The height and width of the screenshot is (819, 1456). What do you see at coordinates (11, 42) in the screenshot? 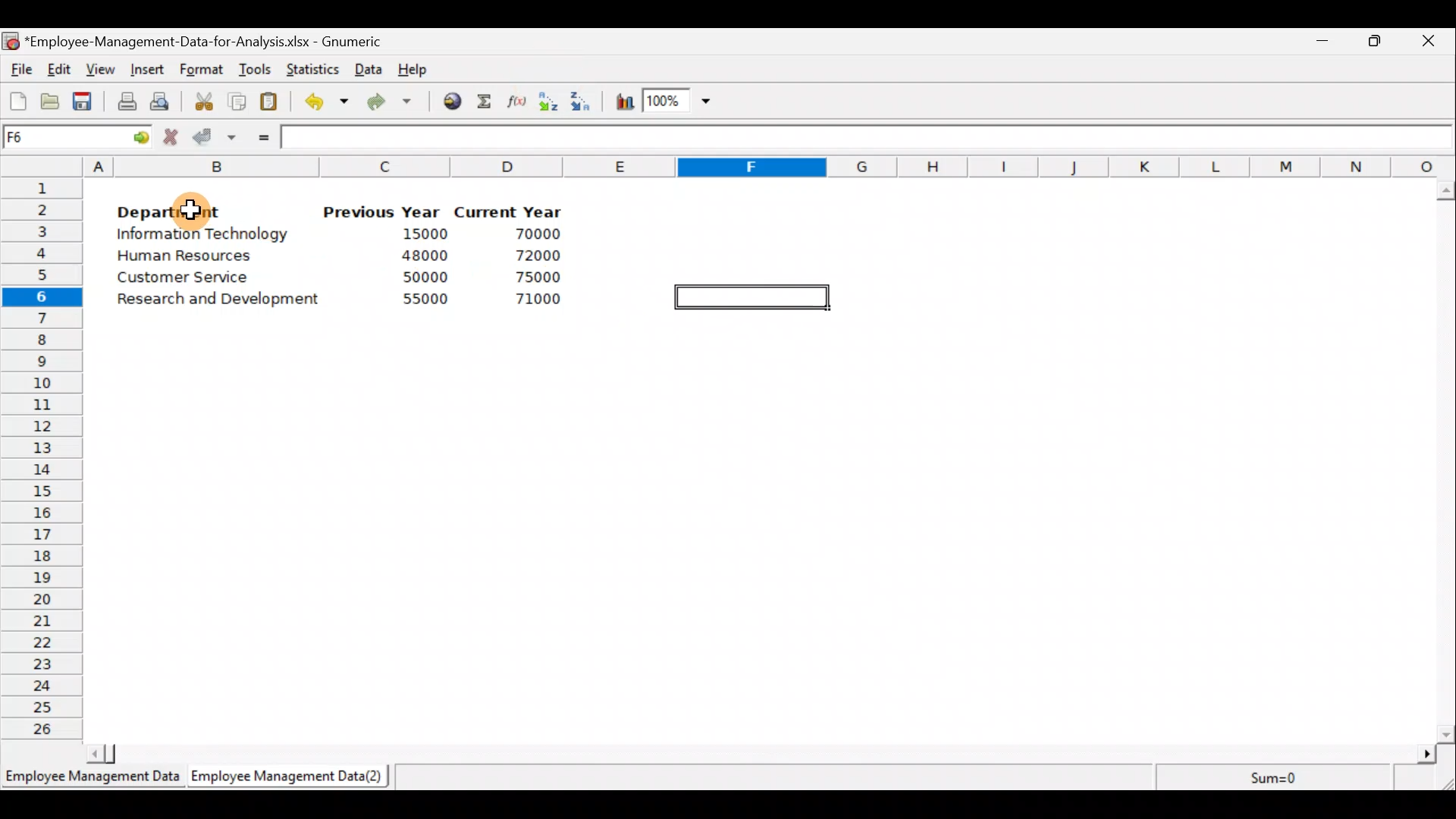
I see `Gnumeric logo` at bounding box center [11, 42].